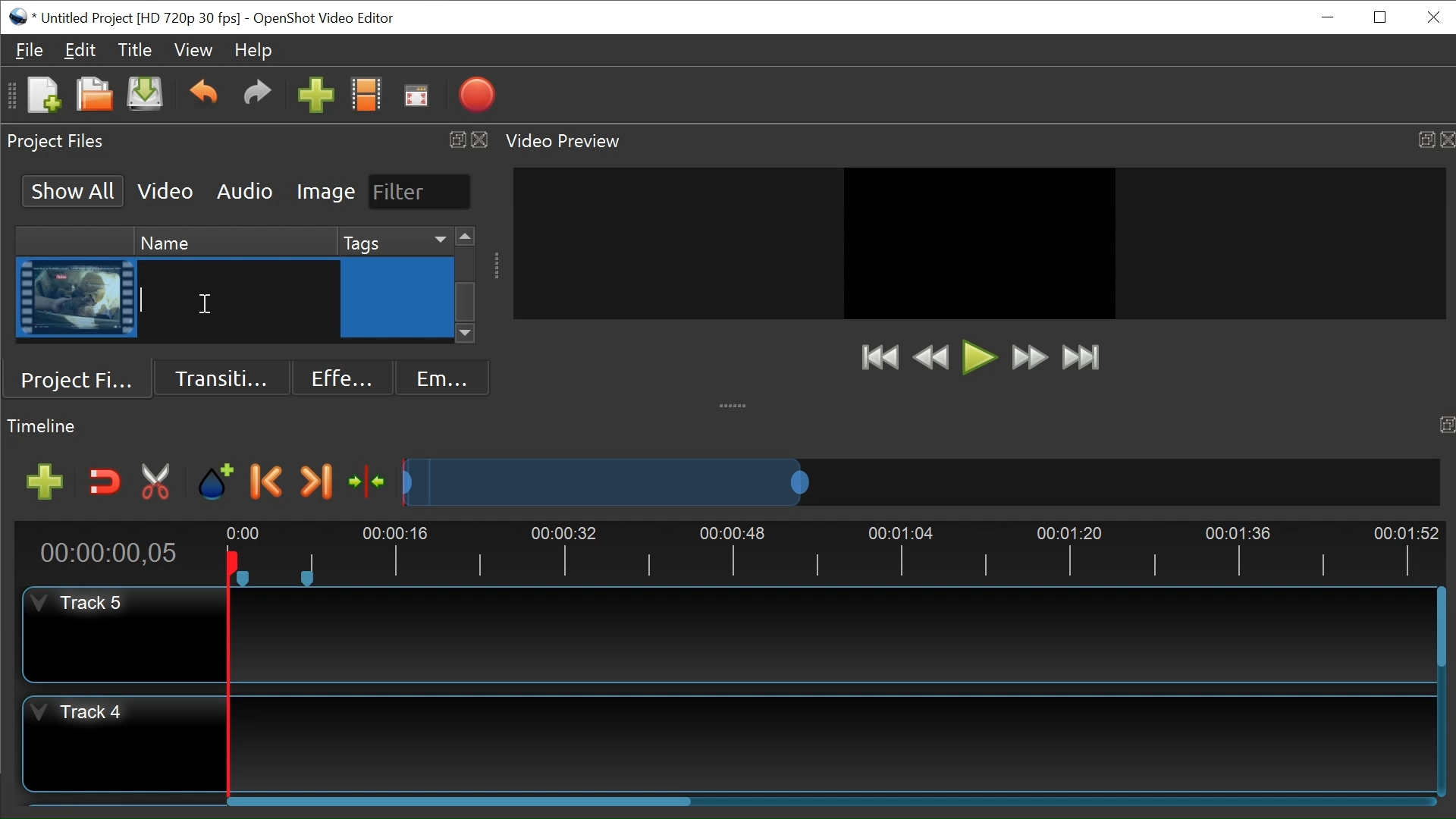 This screenshot has height=819, width=1456. What do you see at coordinates (879, 359) in the screenshot?
I see `Jump to Start` at bounding box center [879, 359].